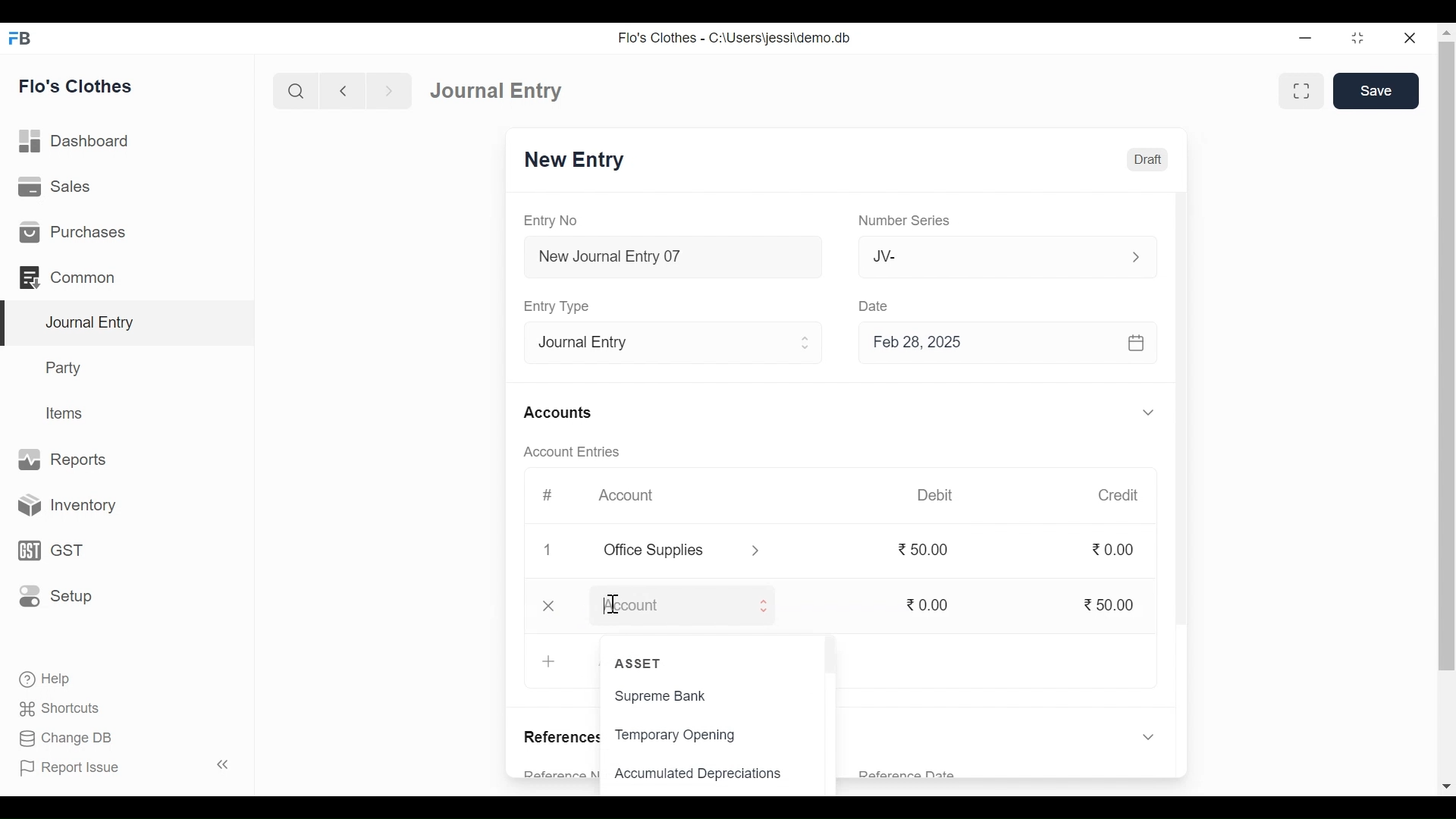 The width and height of the screenshot is (1456, 819). Describe the element at coordinates (49, 552) in the screenshot. I see `GST` at that location.